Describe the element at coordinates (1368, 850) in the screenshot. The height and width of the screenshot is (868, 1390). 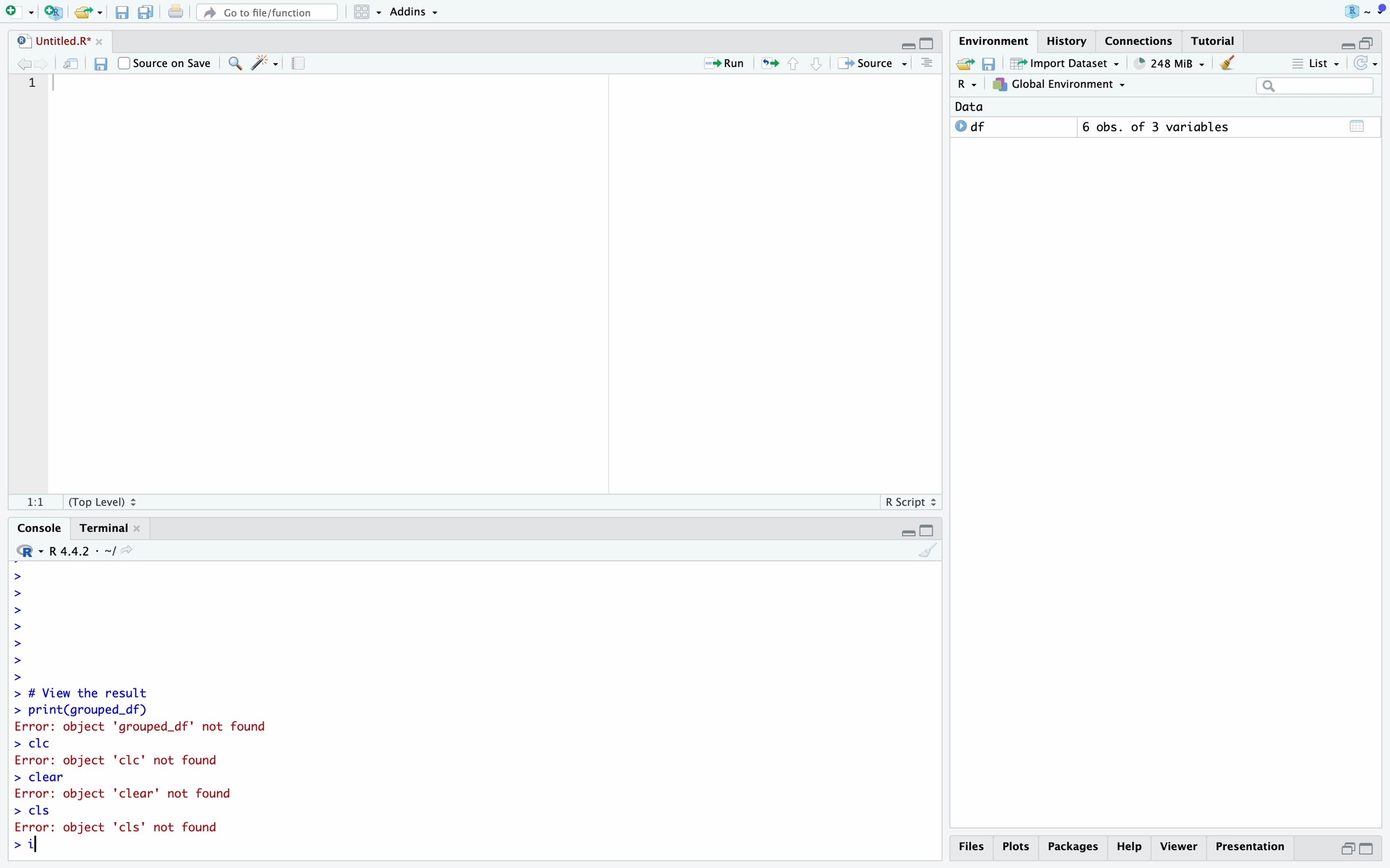
I see `Full Height` at that location.